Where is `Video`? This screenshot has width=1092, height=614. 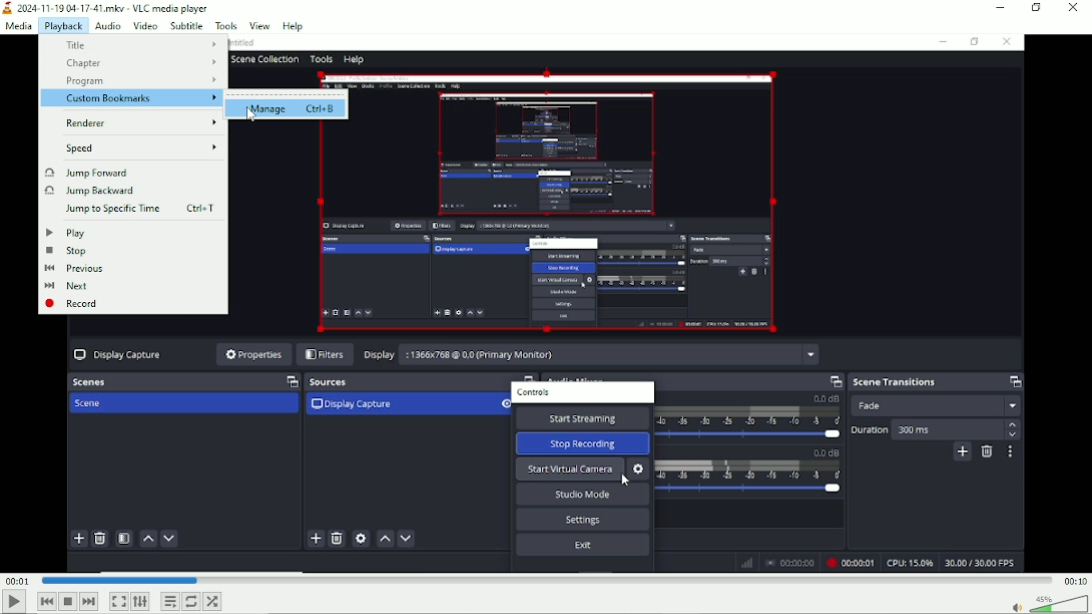 Video is located at coordinates (720, 304).